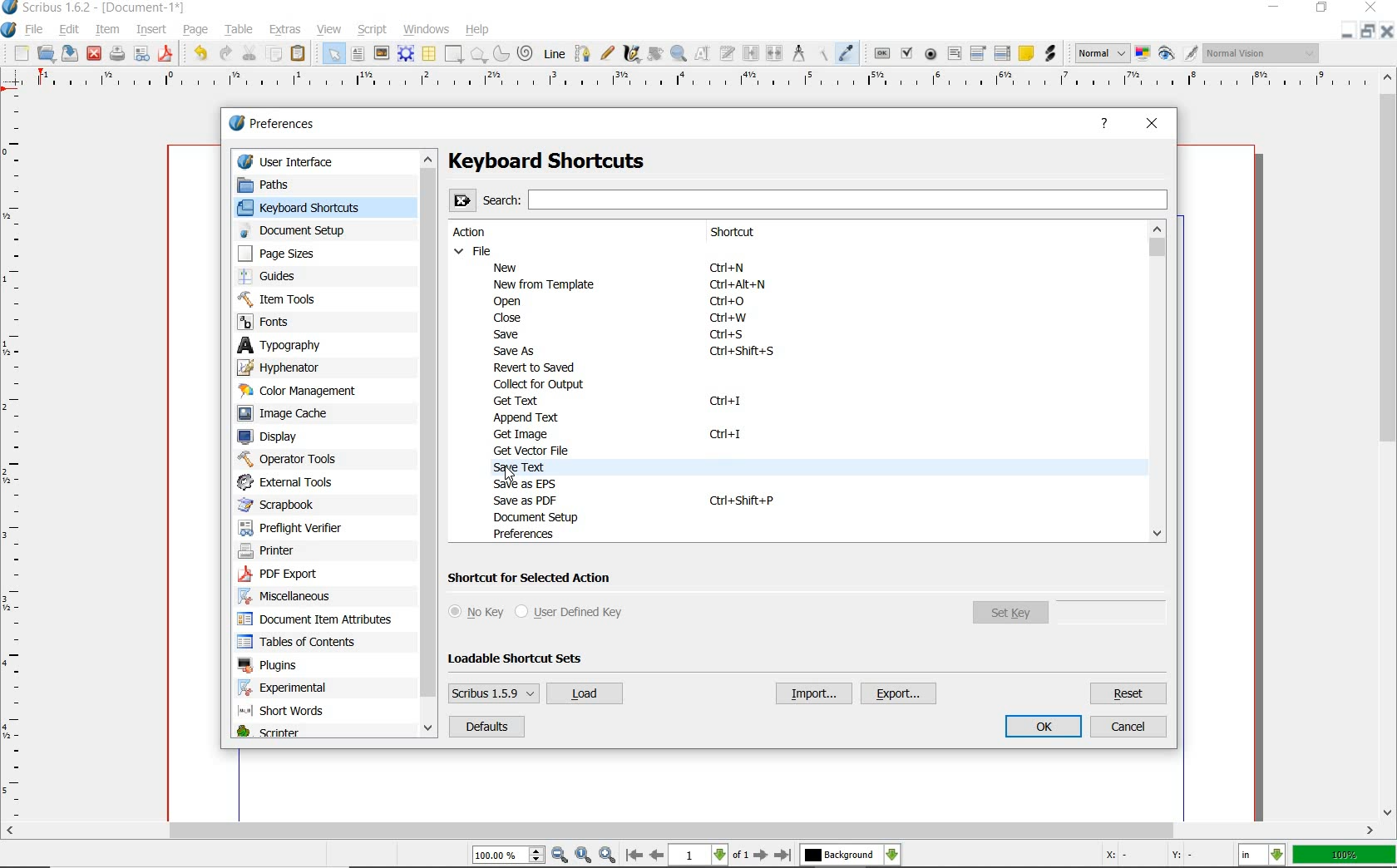  I want to click on Ctrl + N, so click(734, 269).